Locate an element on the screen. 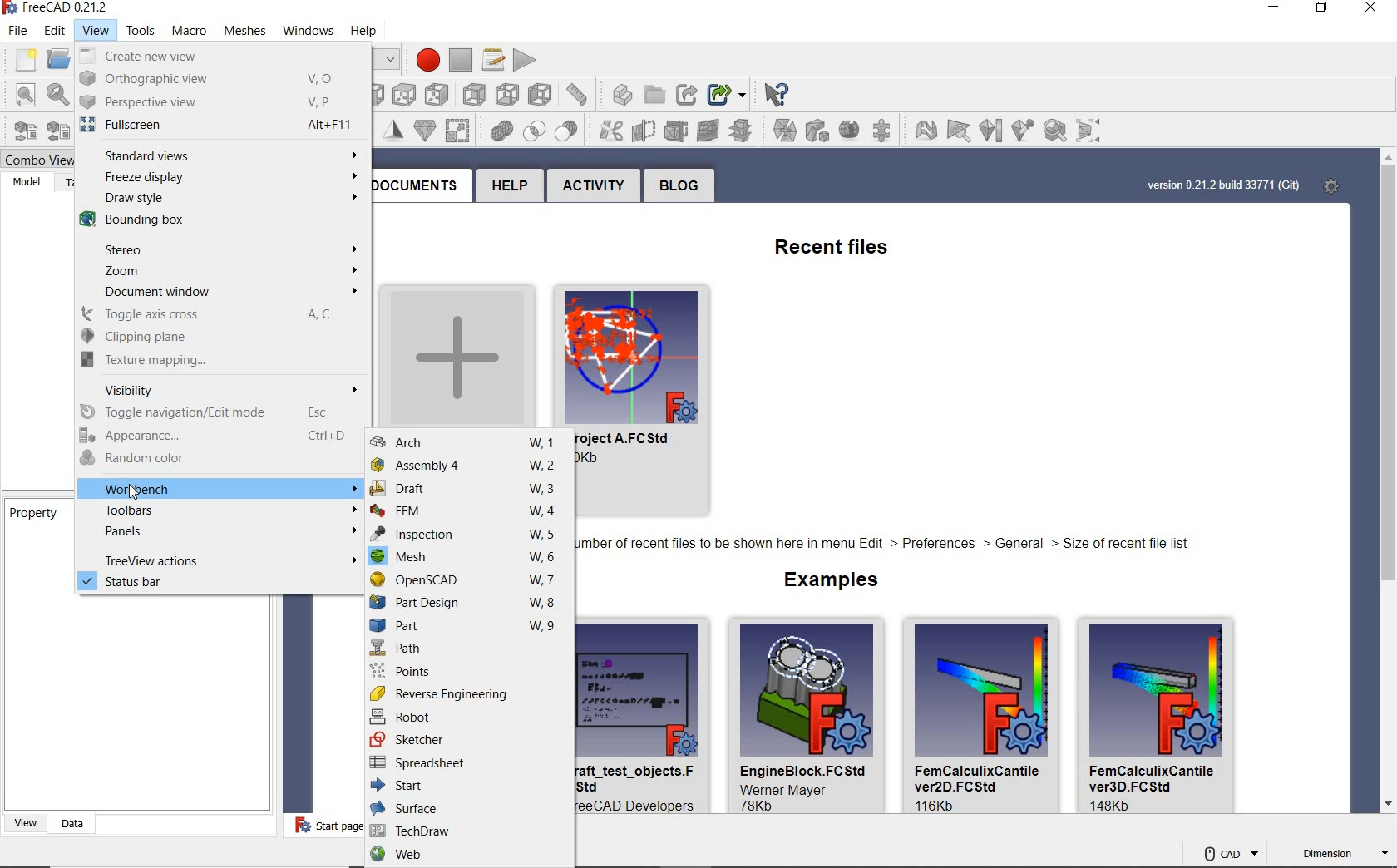  view is located at coordinates (91, 29).